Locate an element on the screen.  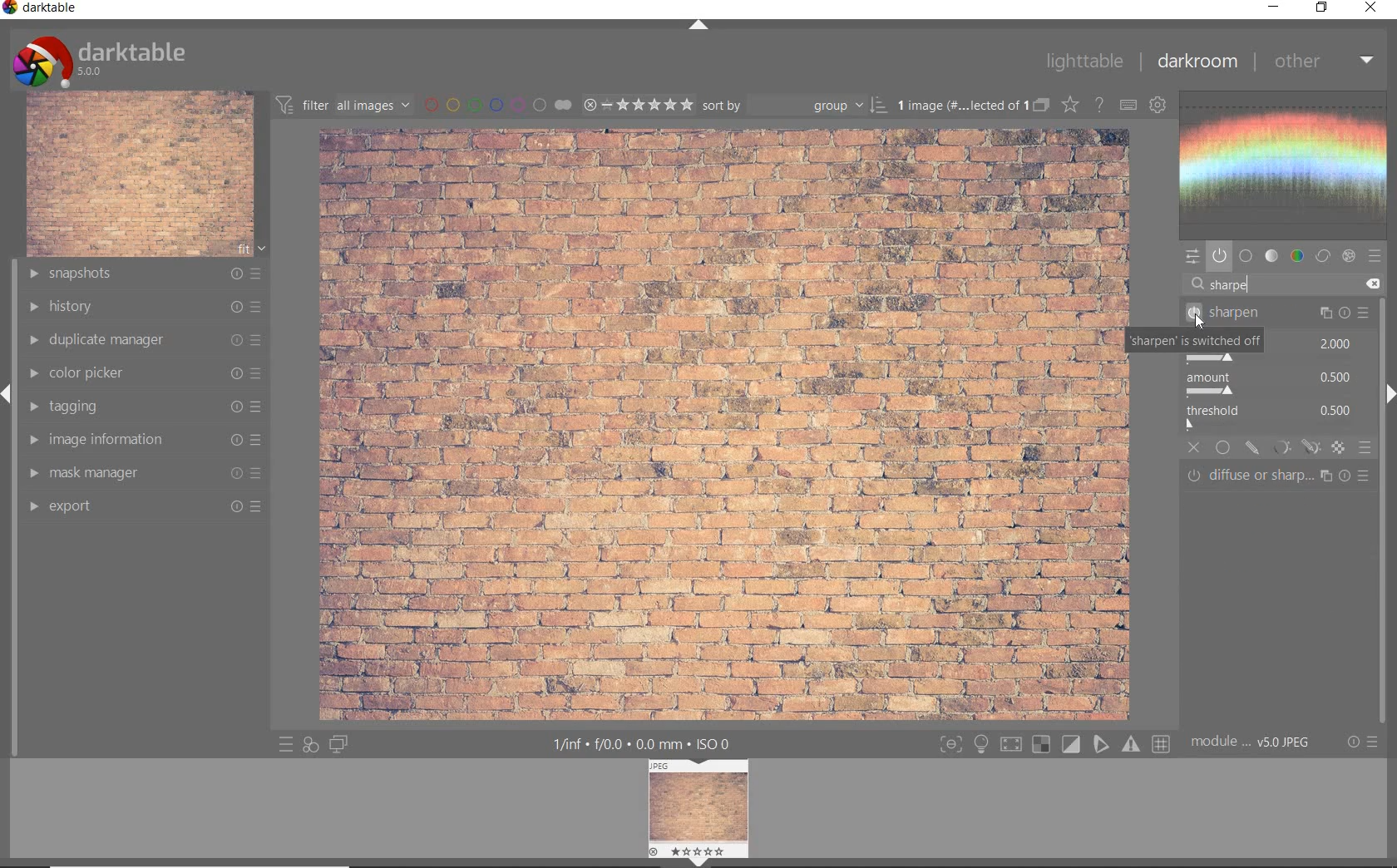
selected image is located at coordinates (719, 424).